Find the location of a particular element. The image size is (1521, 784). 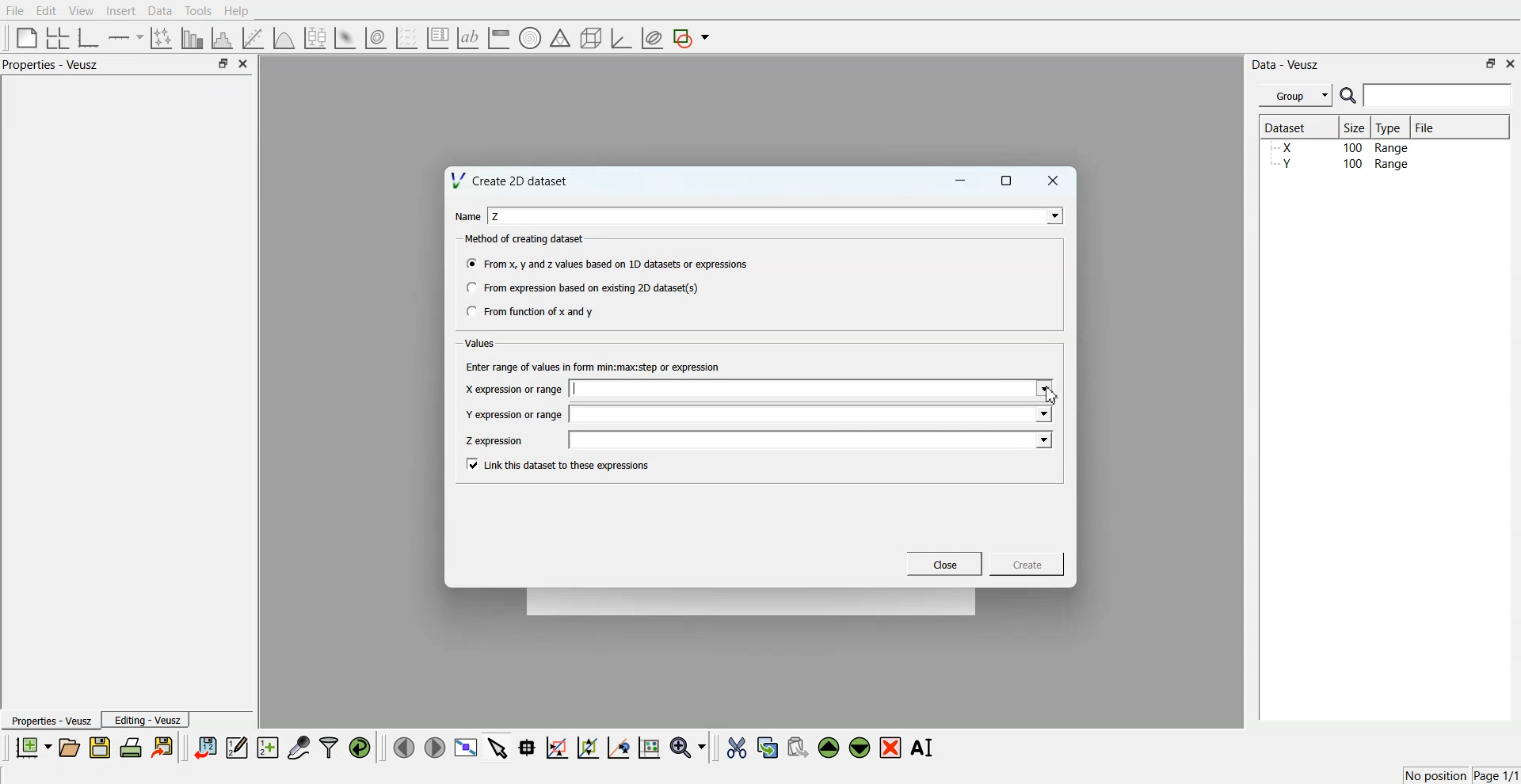

Maximize is located at coordinates (1007, 181).